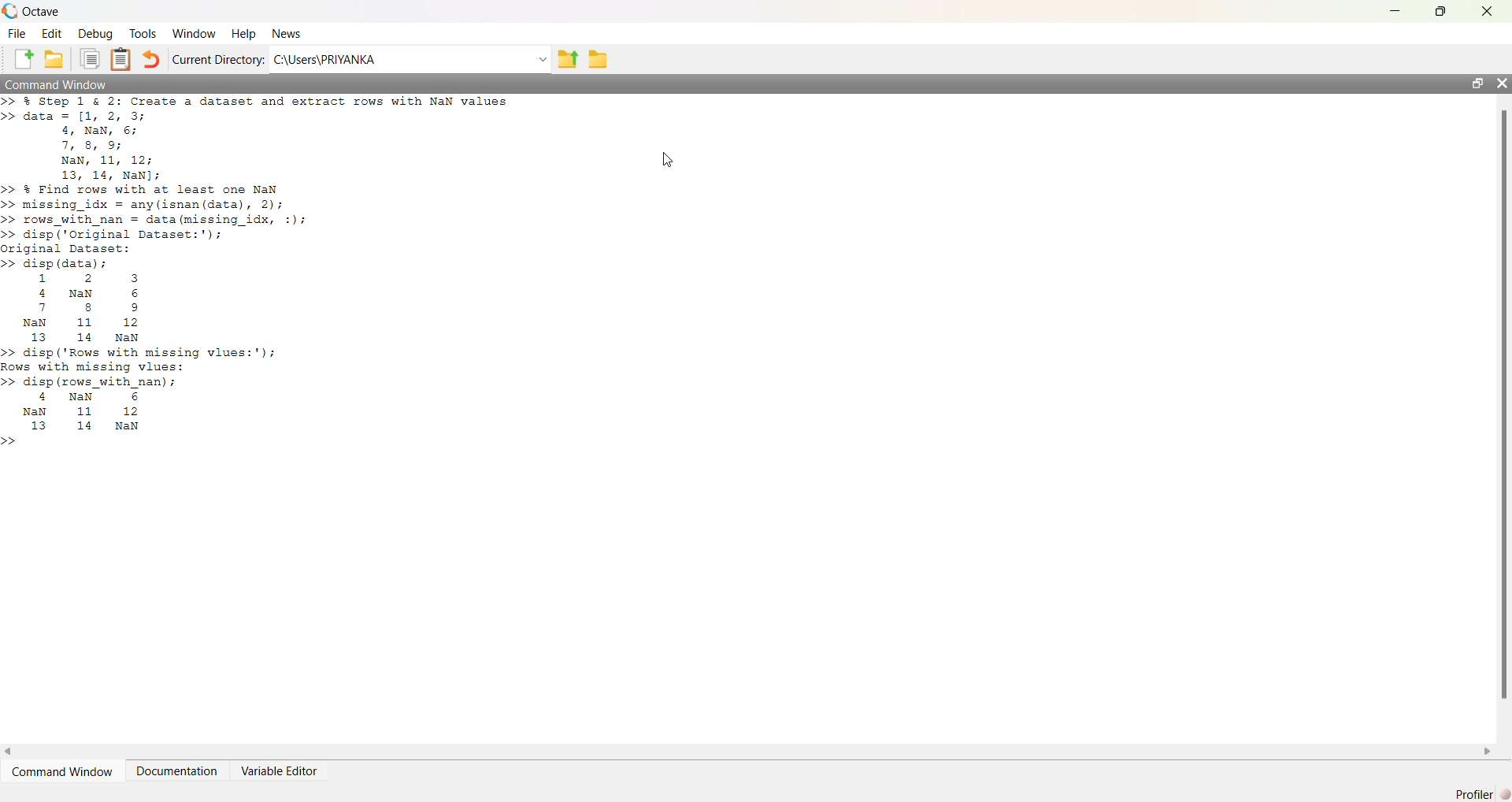 The width and height of the screenshot is (1512, 802). Describe the element at coordinates (567, 61) in the screenshot. I see `previous folder` at that location.